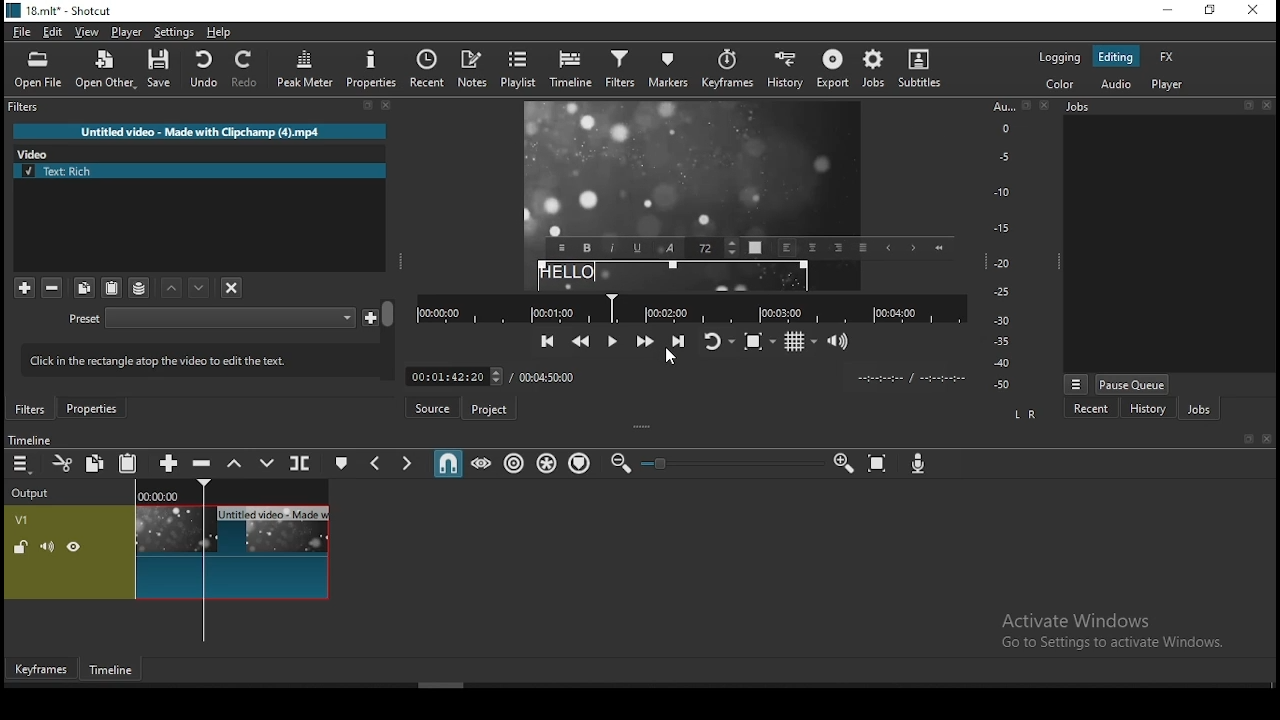 This screenshot has width=1280, height=720. Describe the element at coordinates (839, 340) in the screenshot. I see `show volume control` at that location.